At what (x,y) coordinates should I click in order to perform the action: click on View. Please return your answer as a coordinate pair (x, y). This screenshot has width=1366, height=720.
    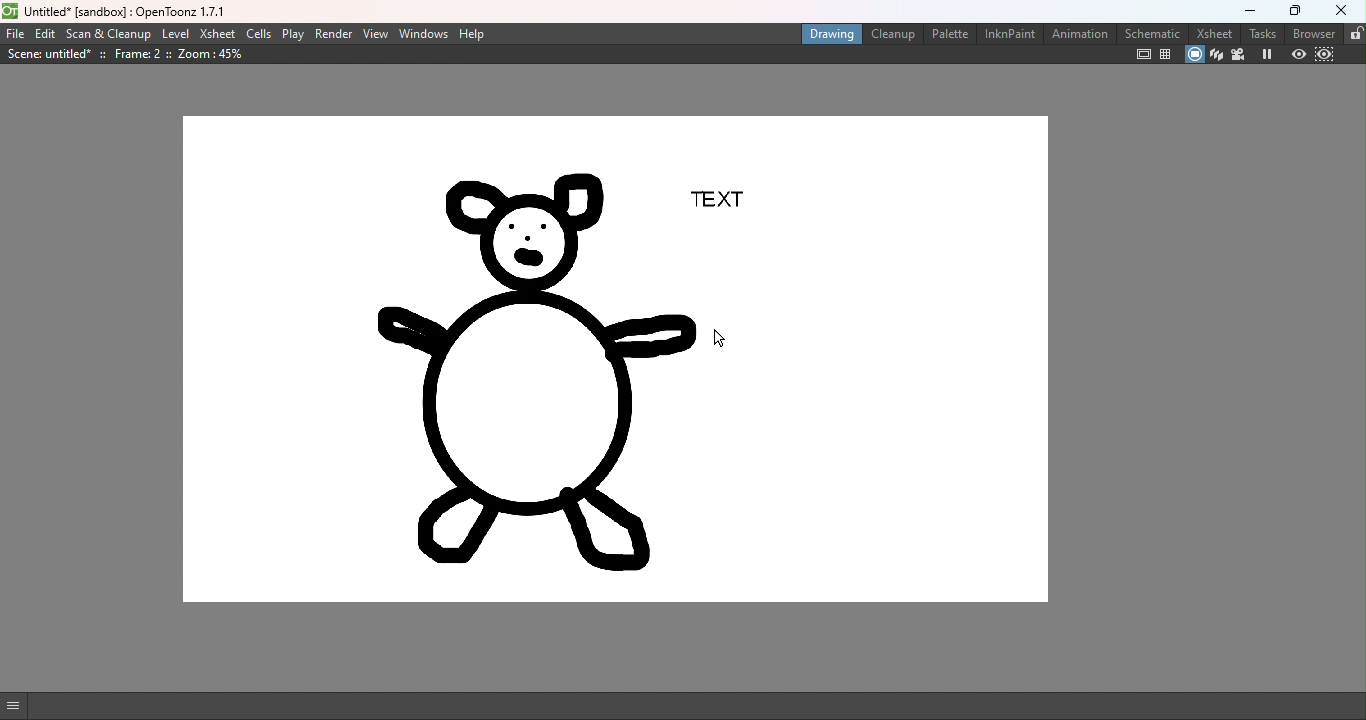
    Looking at the image, I should click on (376, 35).